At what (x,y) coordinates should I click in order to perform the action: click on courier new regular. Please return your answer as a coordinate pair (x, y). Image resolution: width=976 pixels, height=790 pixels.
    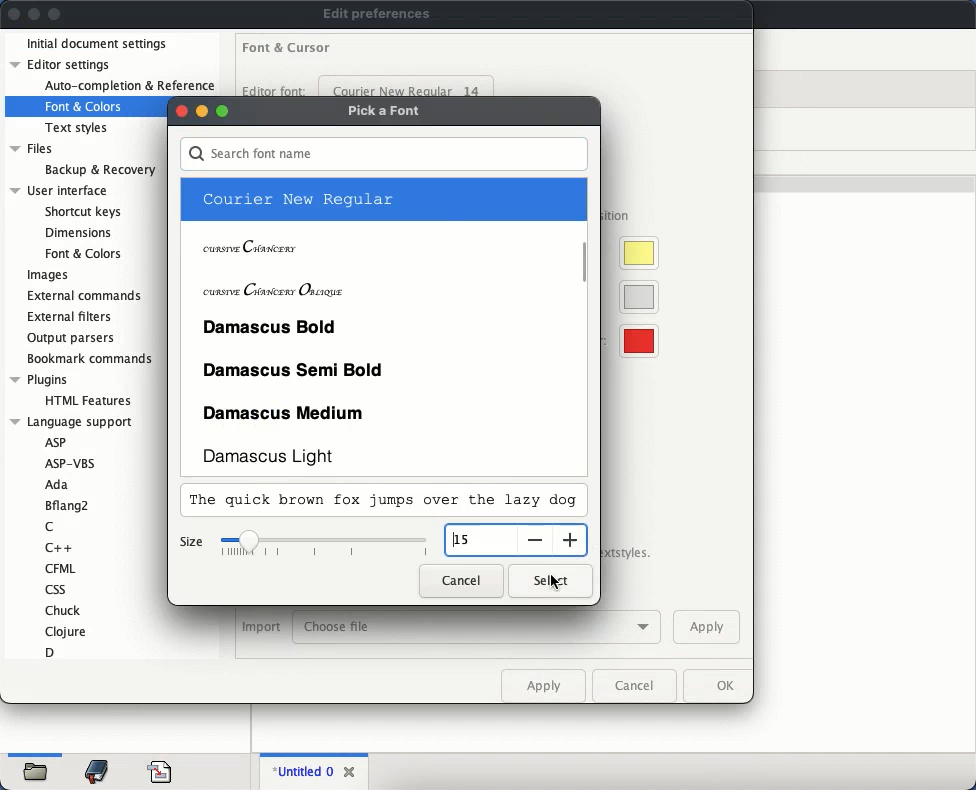
    Looking at the image, I should click on (380, 200).